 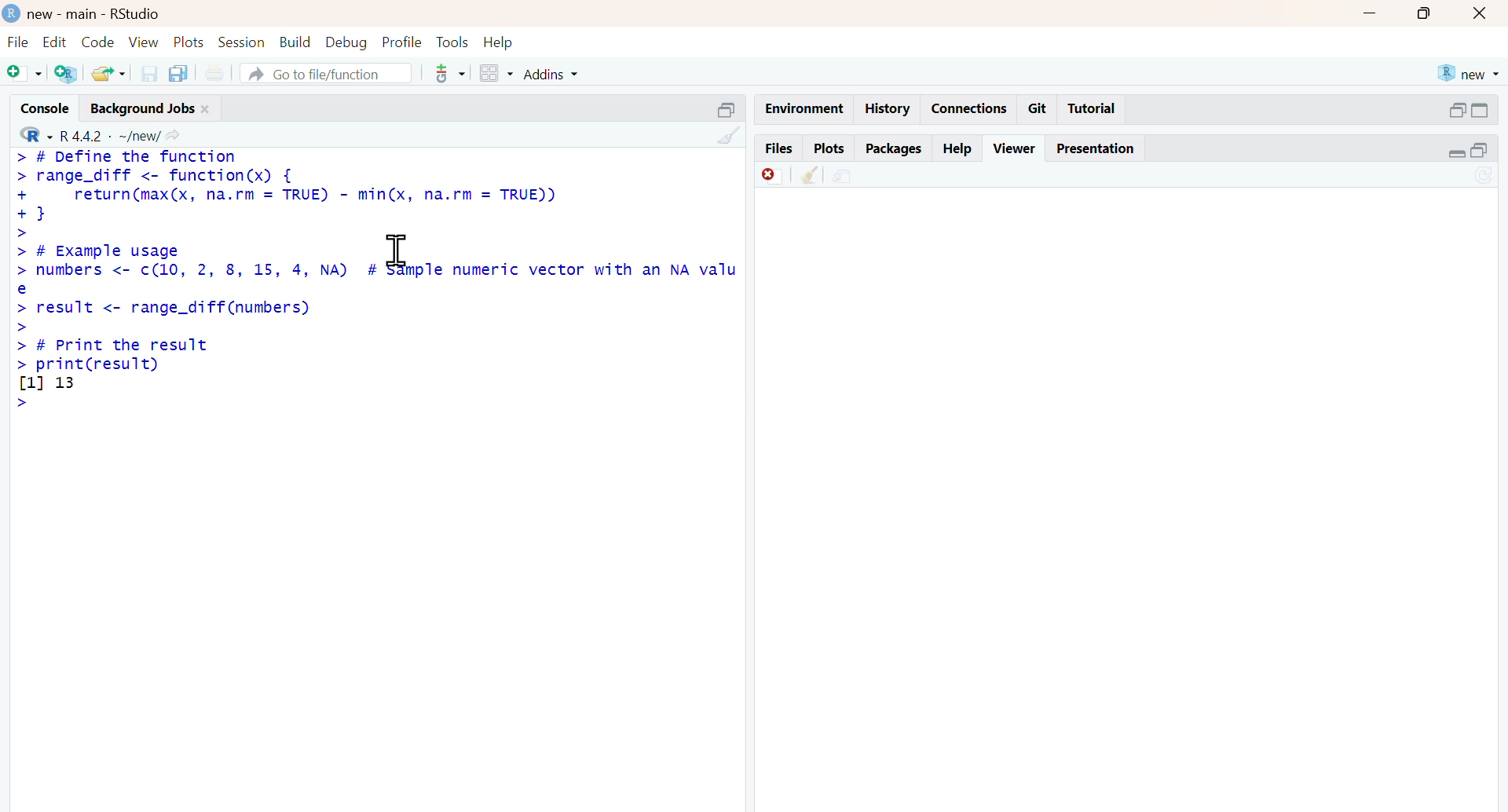 I want to click on background jobs, so click(x=143, y=111).